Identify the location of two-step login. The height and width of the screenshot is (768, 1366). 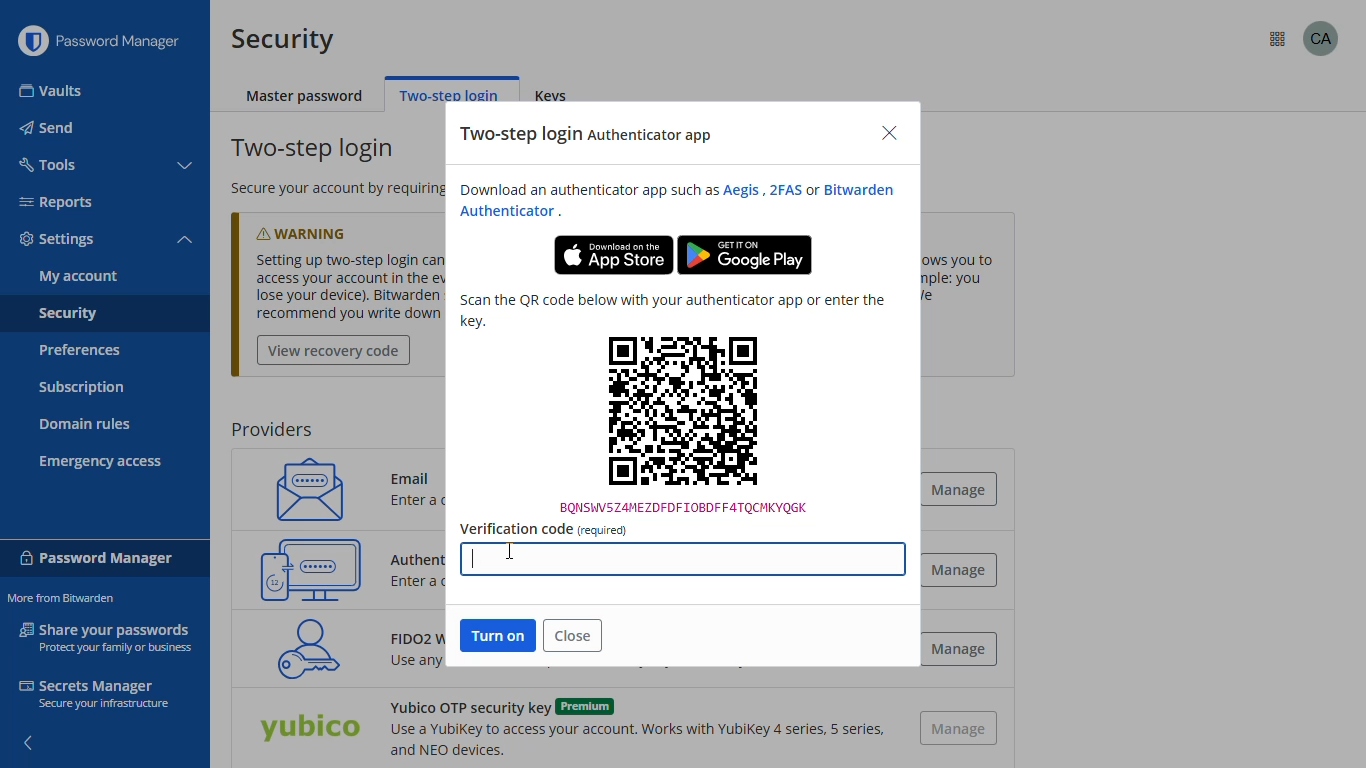
(315, 149).